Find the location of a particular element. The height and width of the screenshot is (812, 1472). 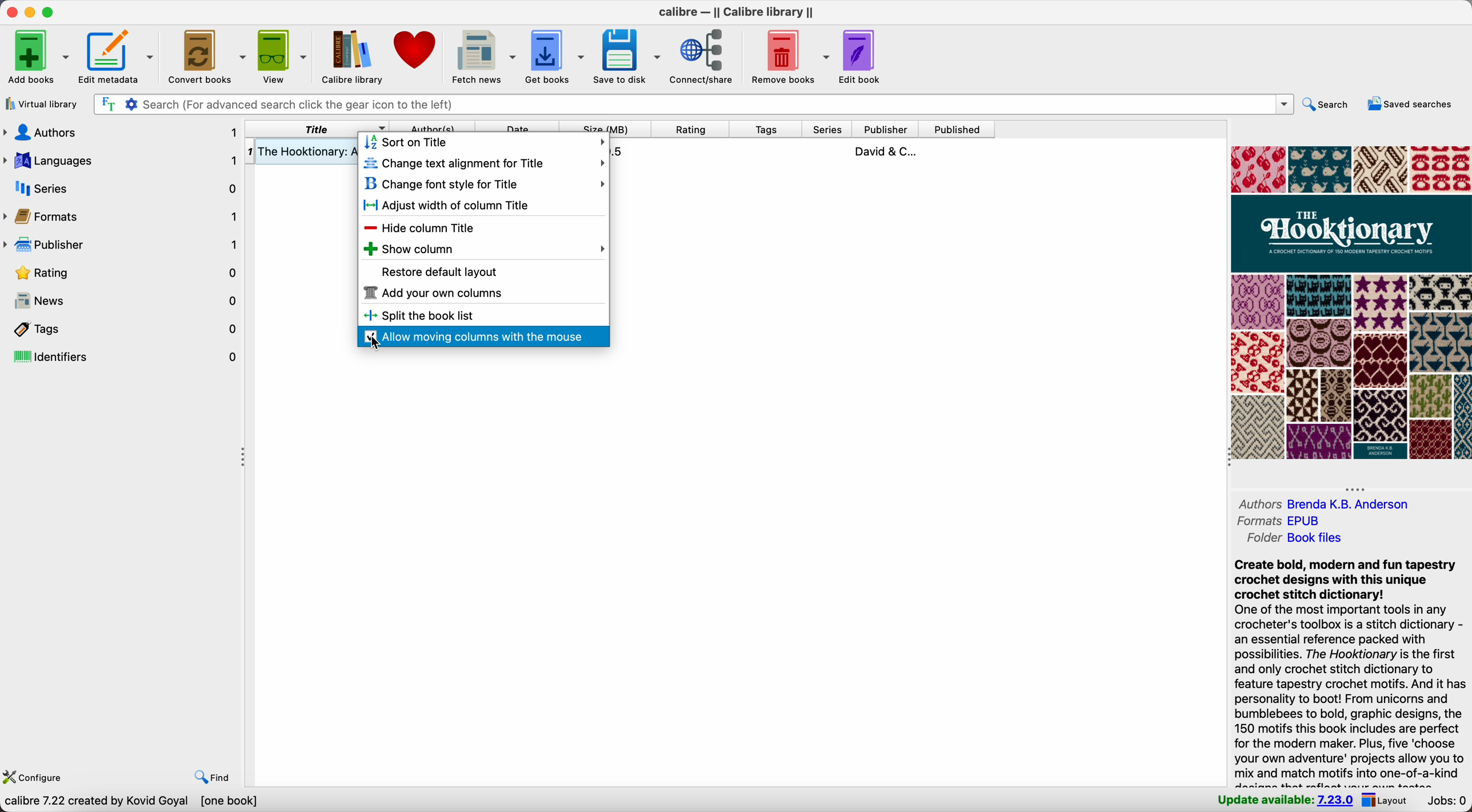

click on allow moving columns with the mouse is located at coordinates (485, 339).